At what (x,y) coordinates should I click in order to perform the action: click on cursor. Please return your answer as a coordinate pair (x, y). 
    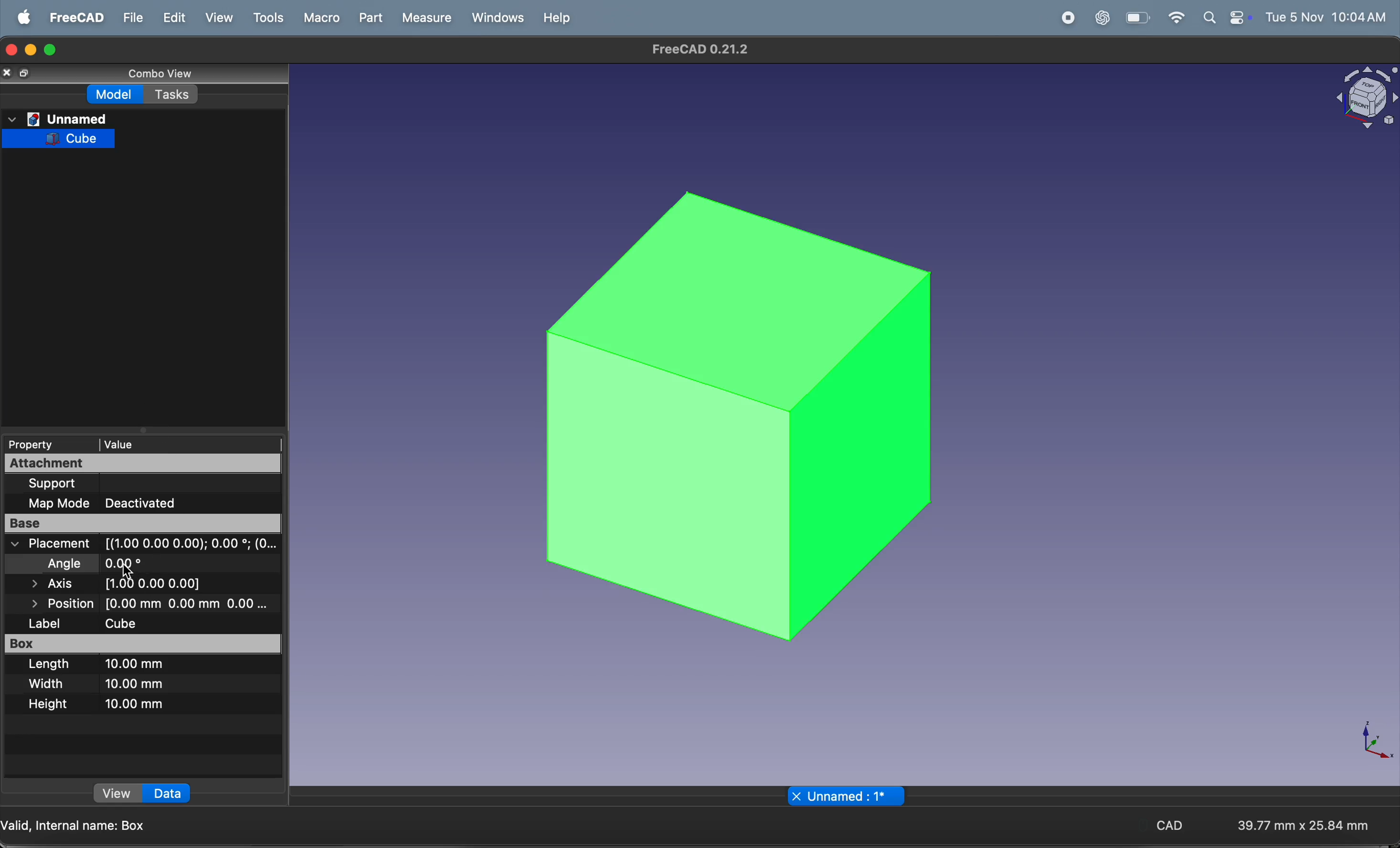
    Looking at the image, I should click on (128, 573).